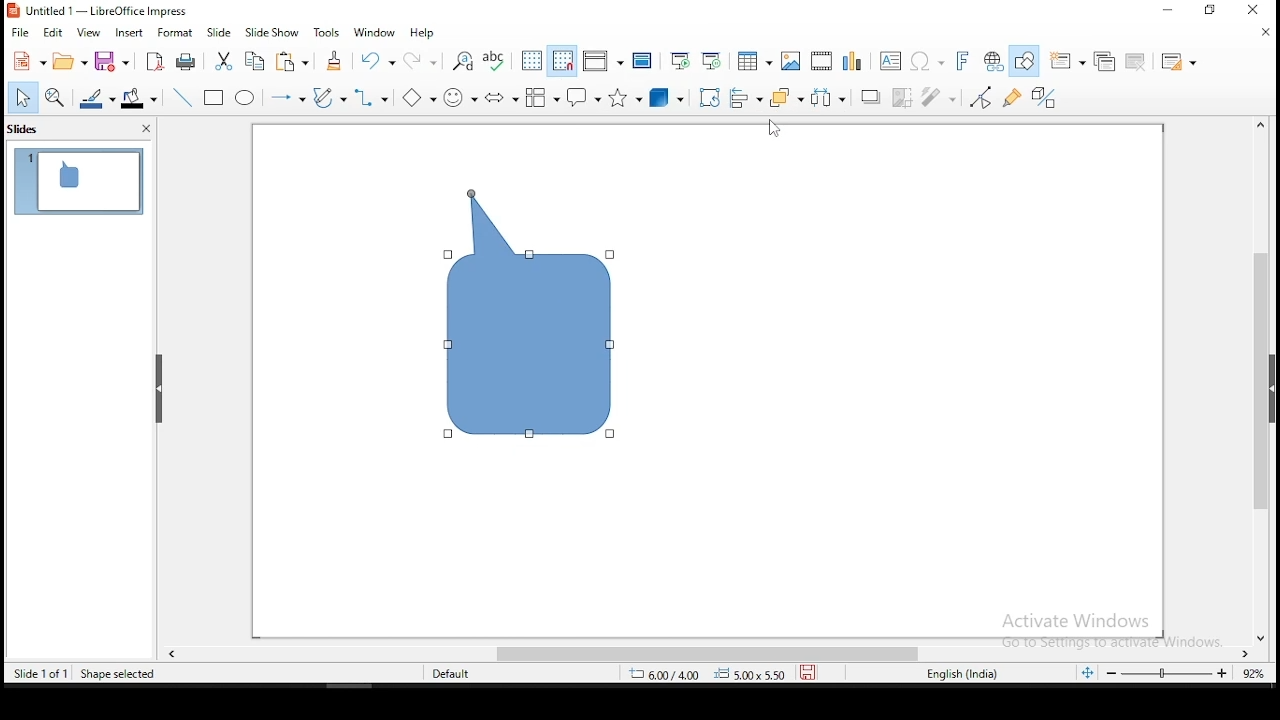 The height and width of the screenshot is (720, 1280). I want to click on arrange, so click(784, 96).